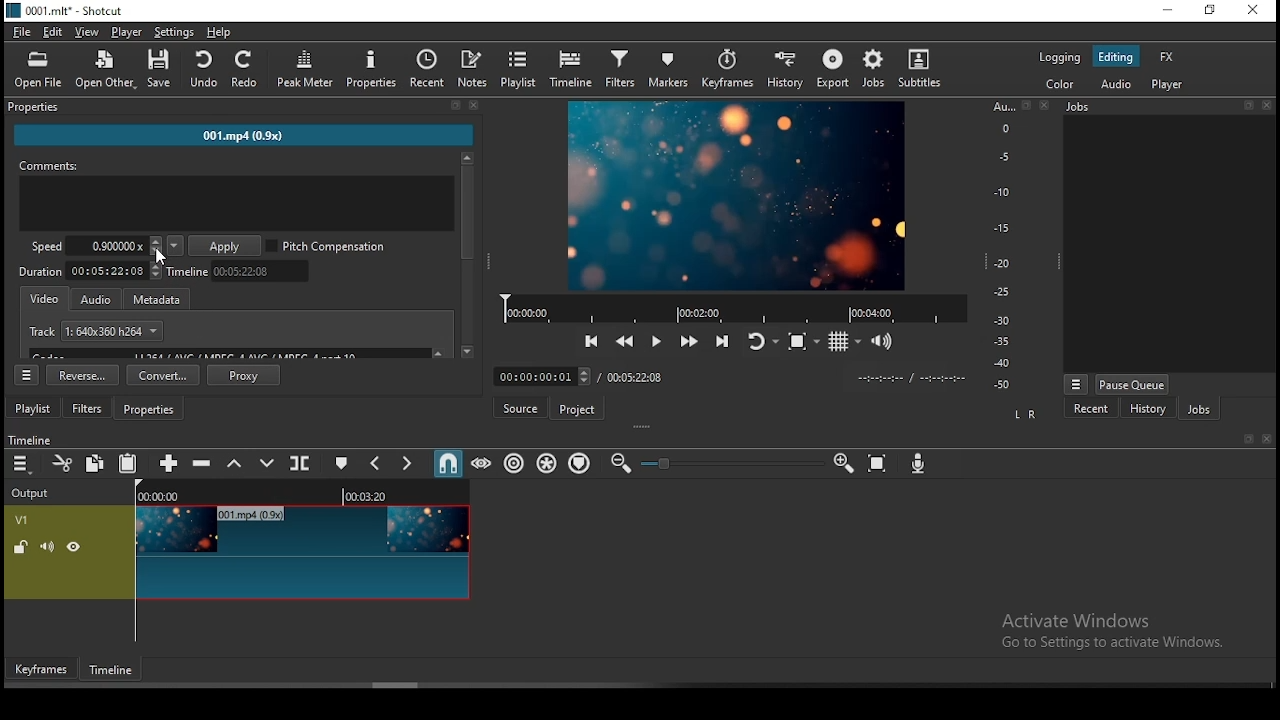 This screenshot has width=1280, height=720. Describe the element at coordinates (304, 551) in the screenshot. I see `video track` at that location.